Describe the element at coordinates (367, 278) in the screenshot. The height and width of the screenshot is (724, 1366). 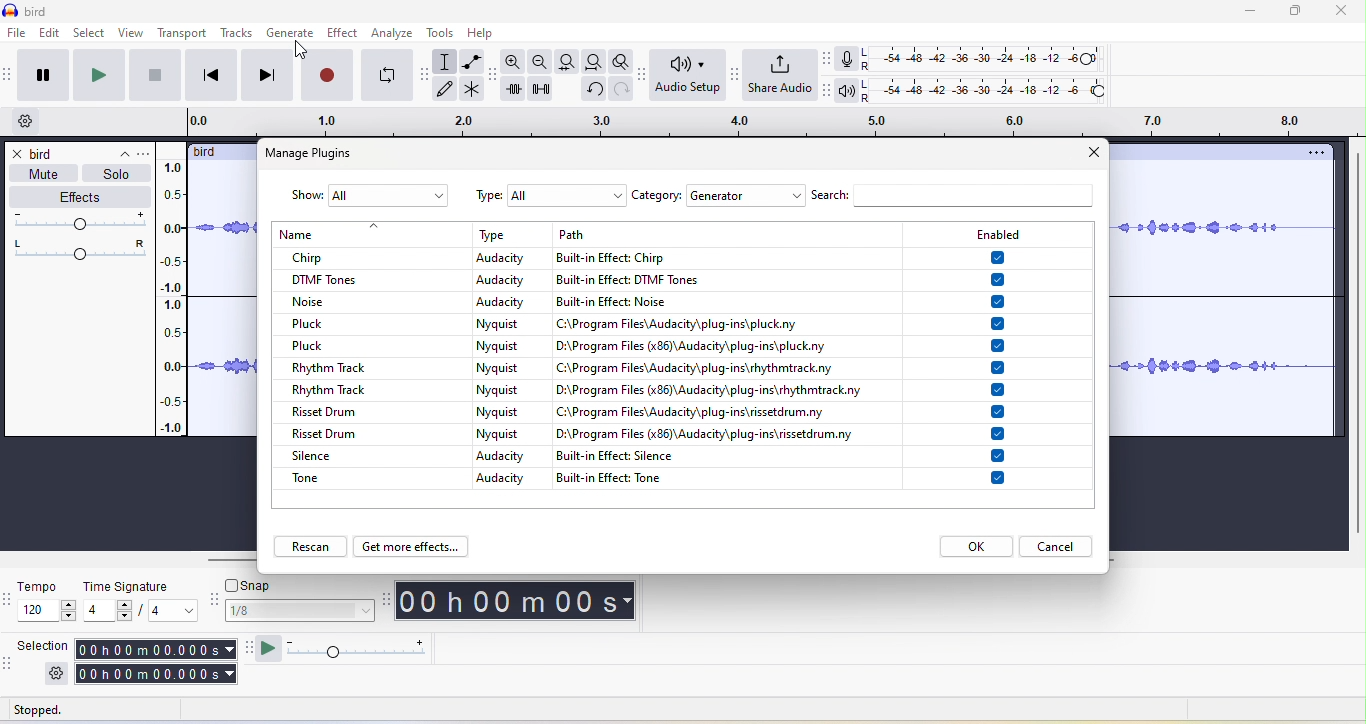
I see `dtmf tones` at that location.